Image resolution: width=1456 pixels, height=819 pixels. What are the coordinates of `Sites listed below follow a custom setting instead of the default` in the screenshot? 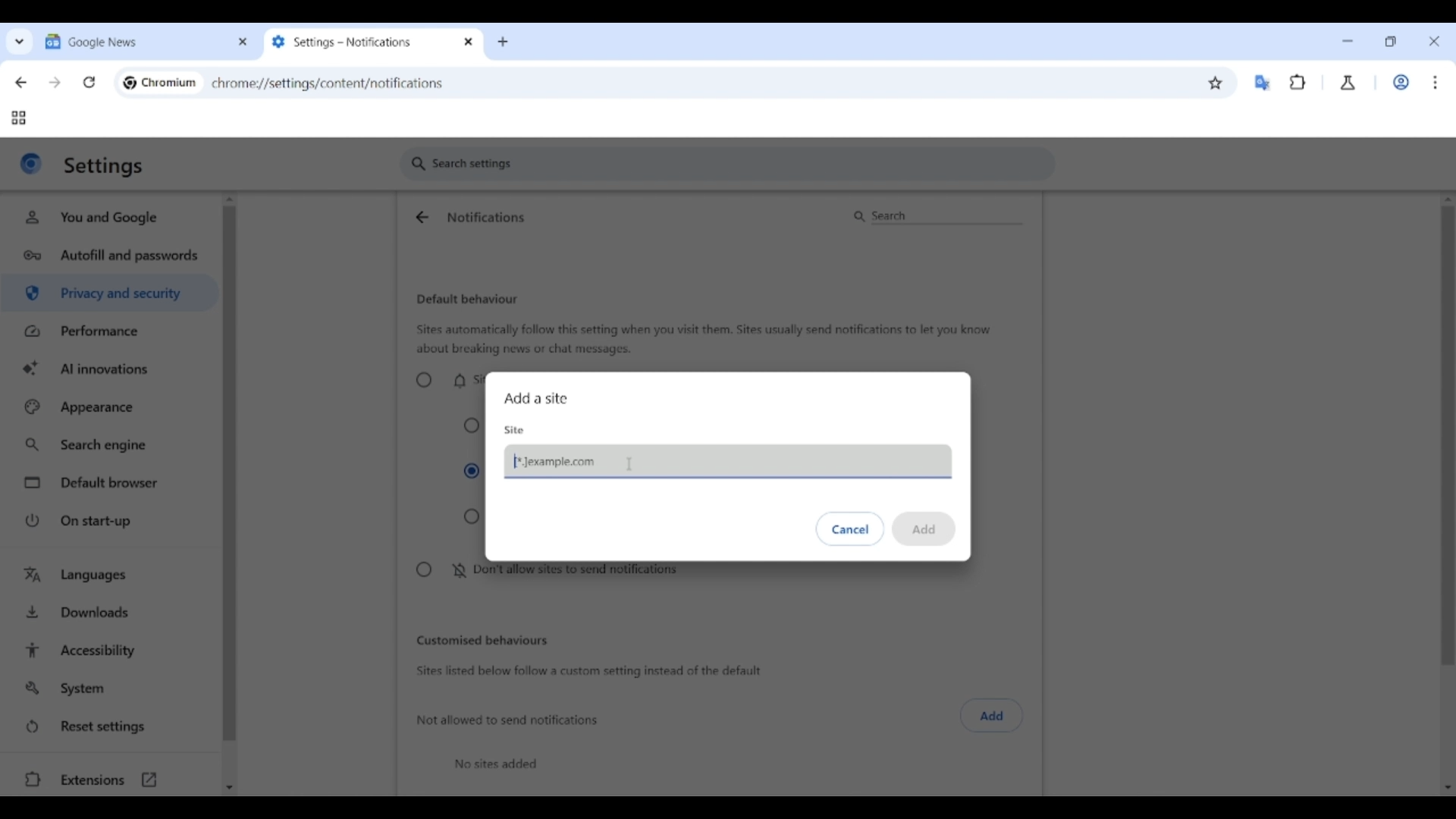 It's located at (587, 672).